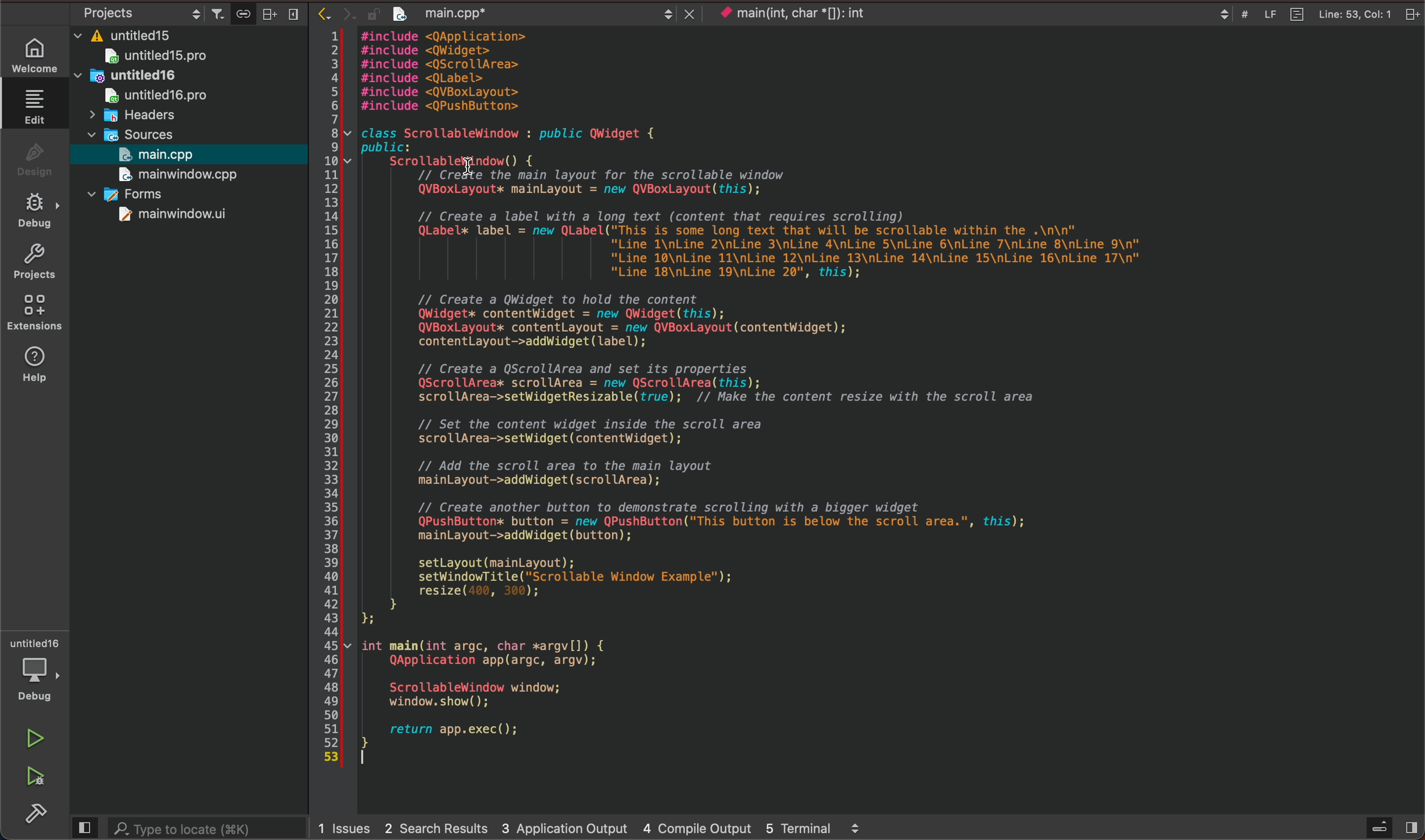  What do you see at coordinates (296, 15) in the screenshot?
I see `close` at bounding box center [296, 15].